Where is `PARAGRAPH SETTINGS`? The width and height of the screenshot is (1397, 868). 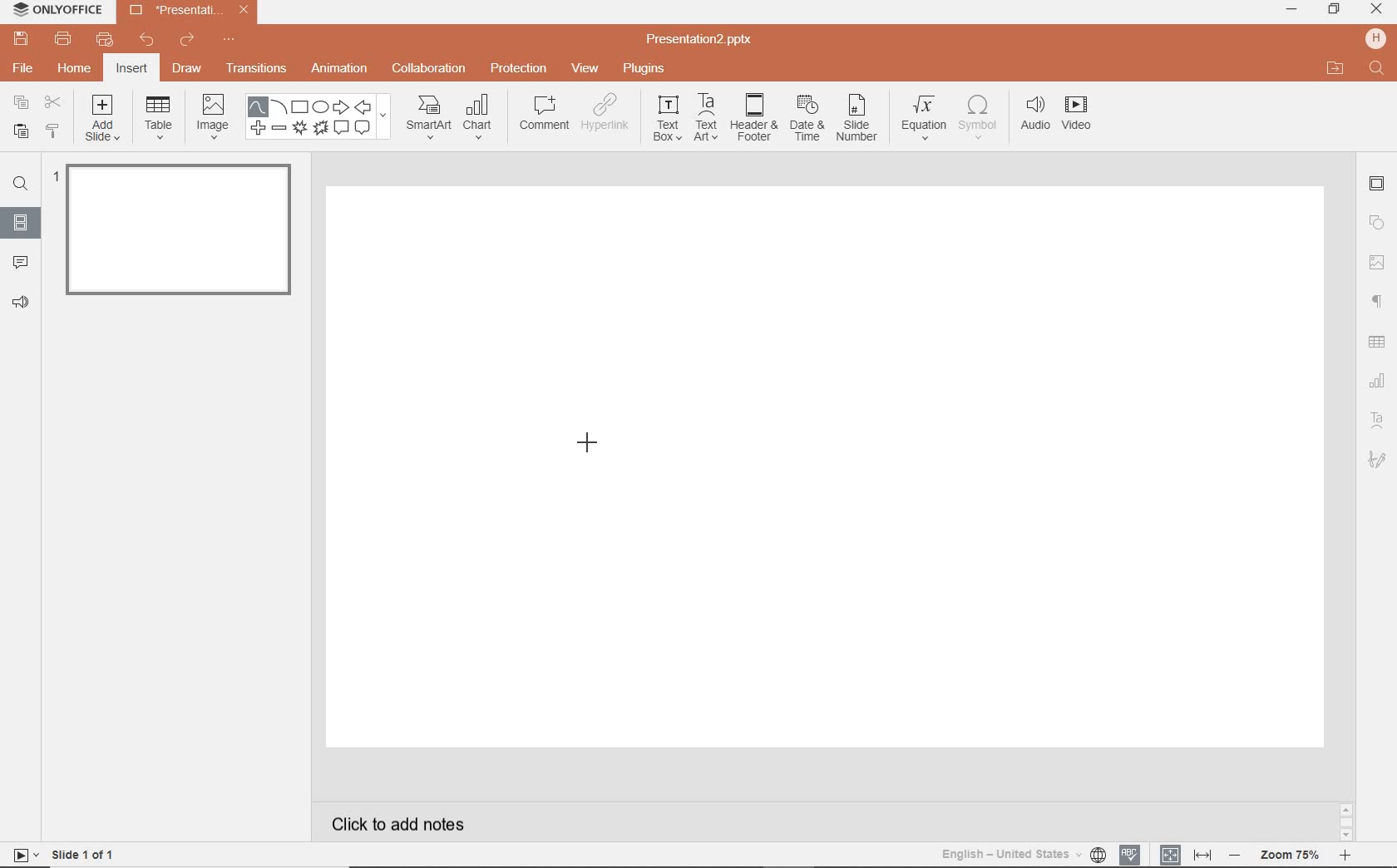
PARAGRAPH SETTINGS is located at coordinates (1375, 300).